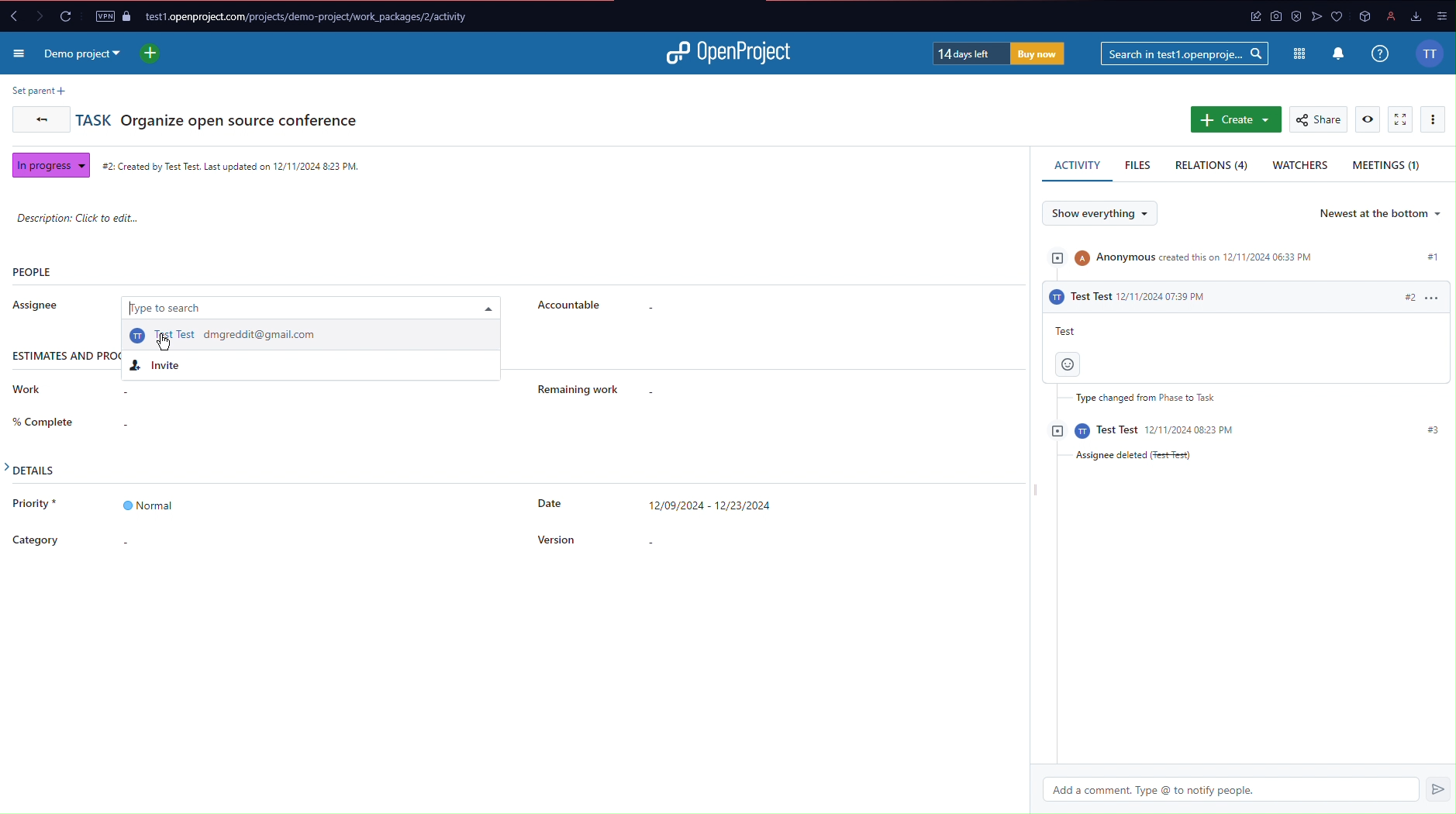 The height and width of the screenshot is (814, 1456). I want to click on app icons, so click(1337, 16).